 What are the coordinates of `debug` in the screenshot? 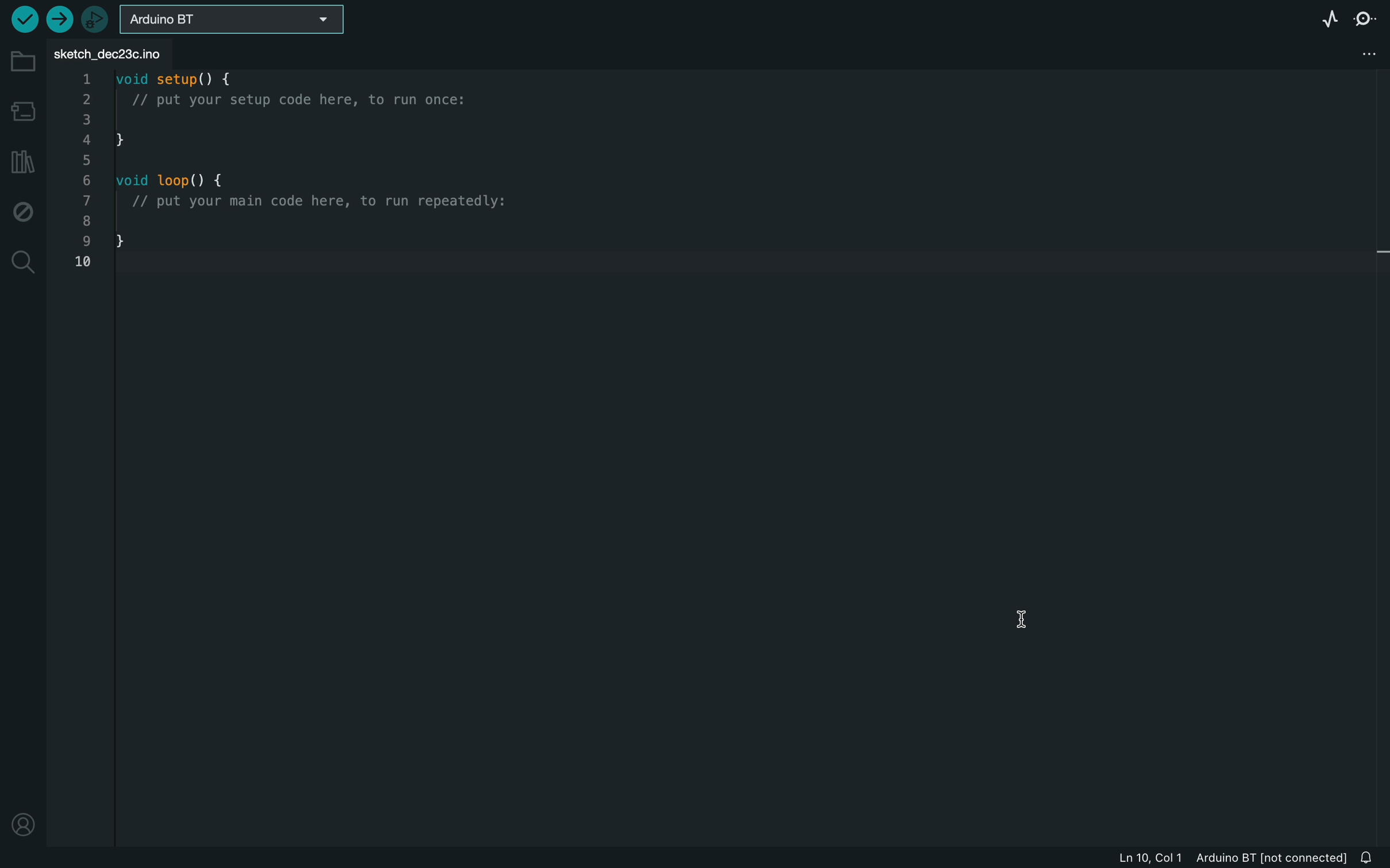 It's located at (24, 214).